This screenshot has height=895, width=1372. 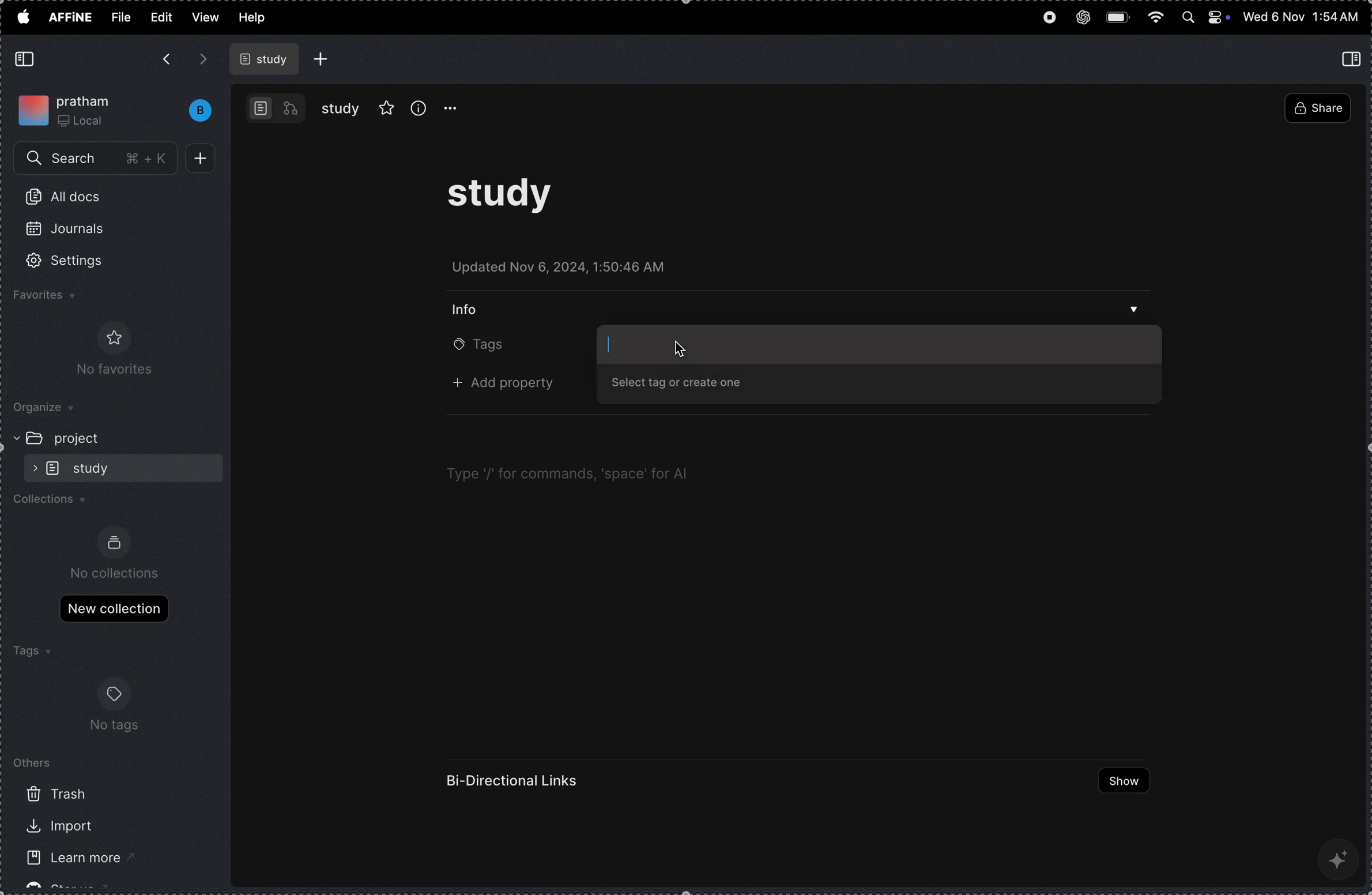 What do you see at coordinates (457, 108) in the screenshot?
I see `option` at bounding box center [457, 108].